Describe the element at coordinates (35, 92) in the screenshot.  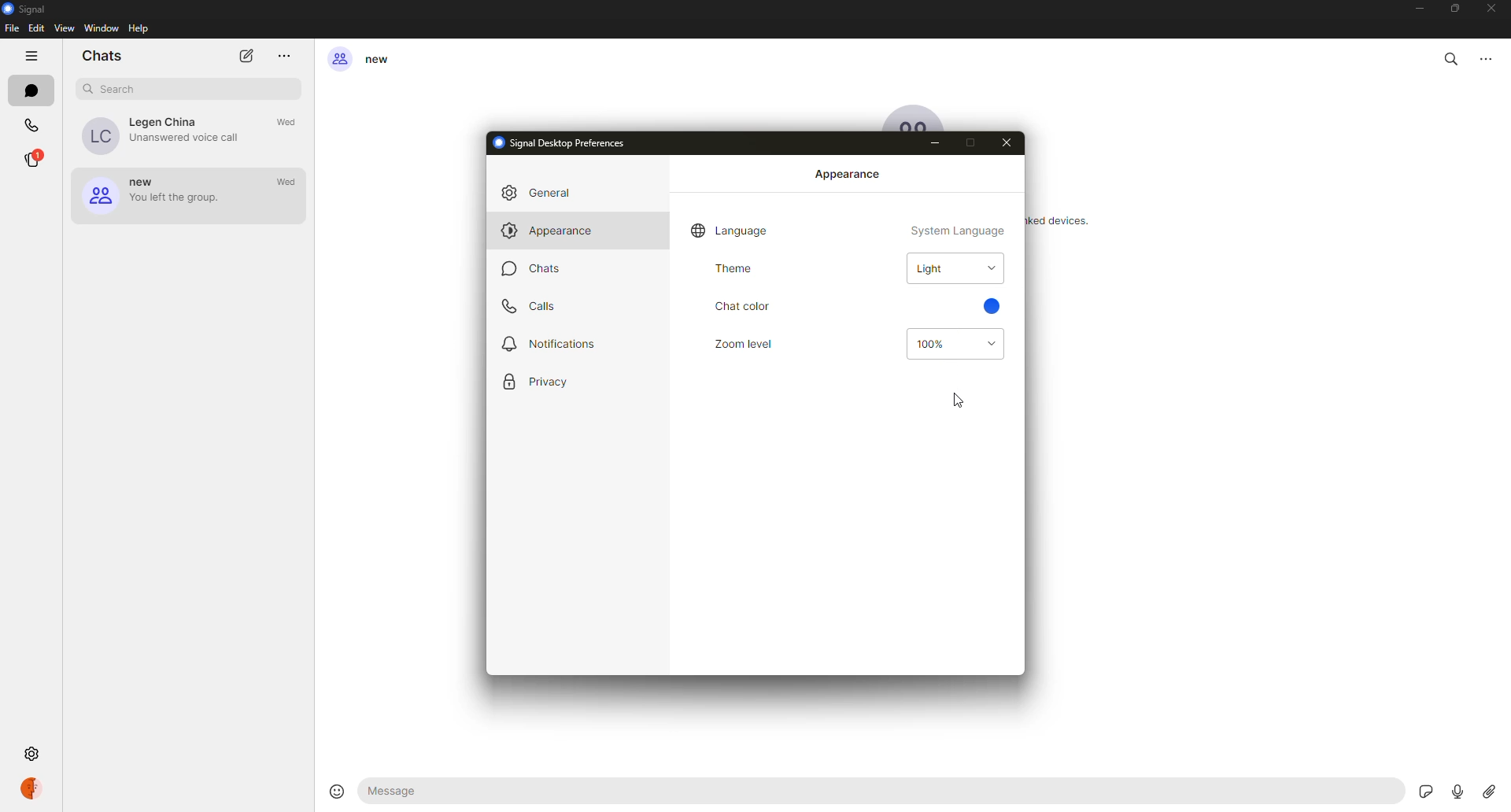
I see `chats` at that location.